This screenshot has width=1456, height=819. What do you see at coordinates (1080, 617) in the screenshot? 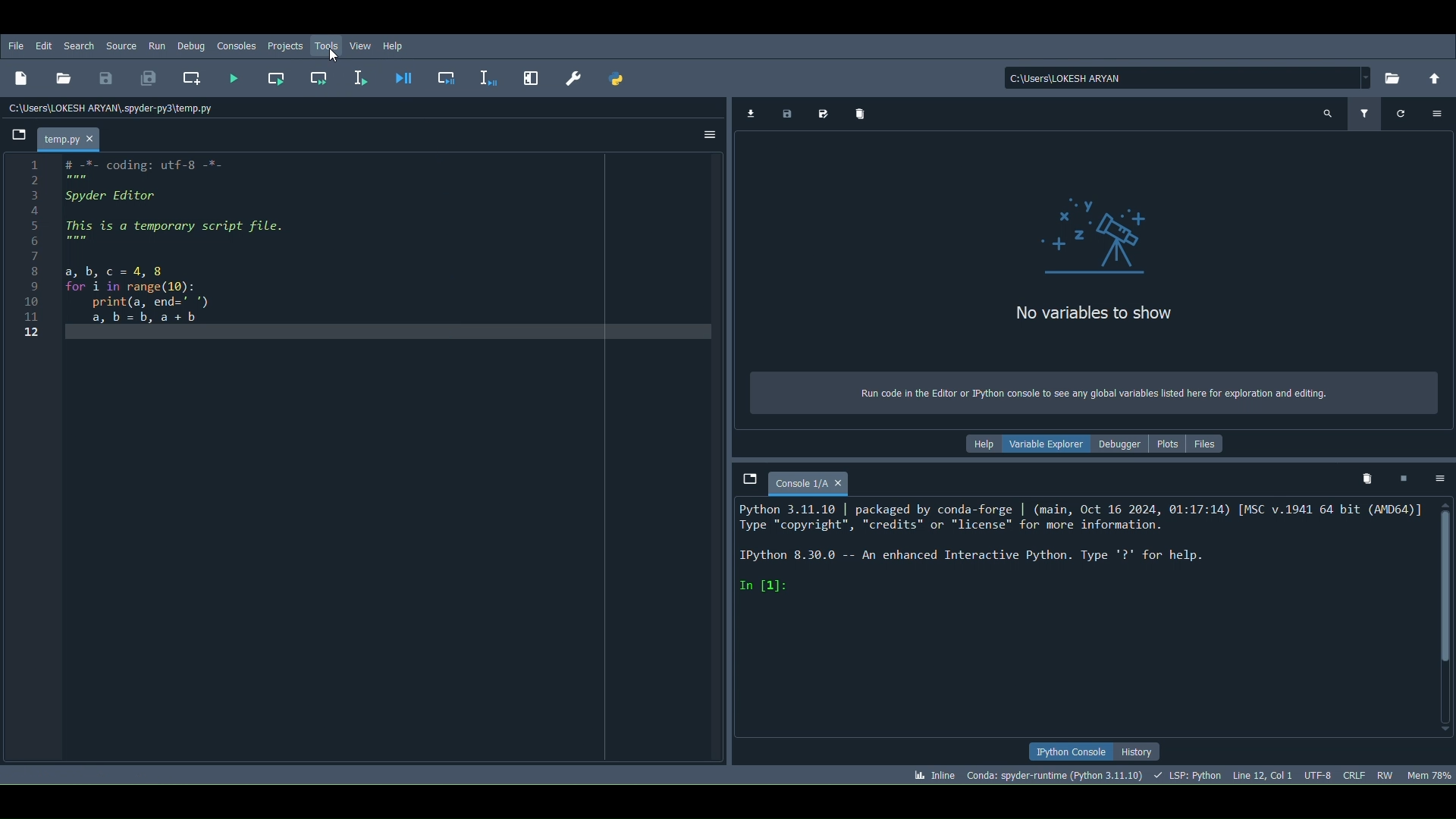
I see `Console editor` at bounding box center [1080, 617].